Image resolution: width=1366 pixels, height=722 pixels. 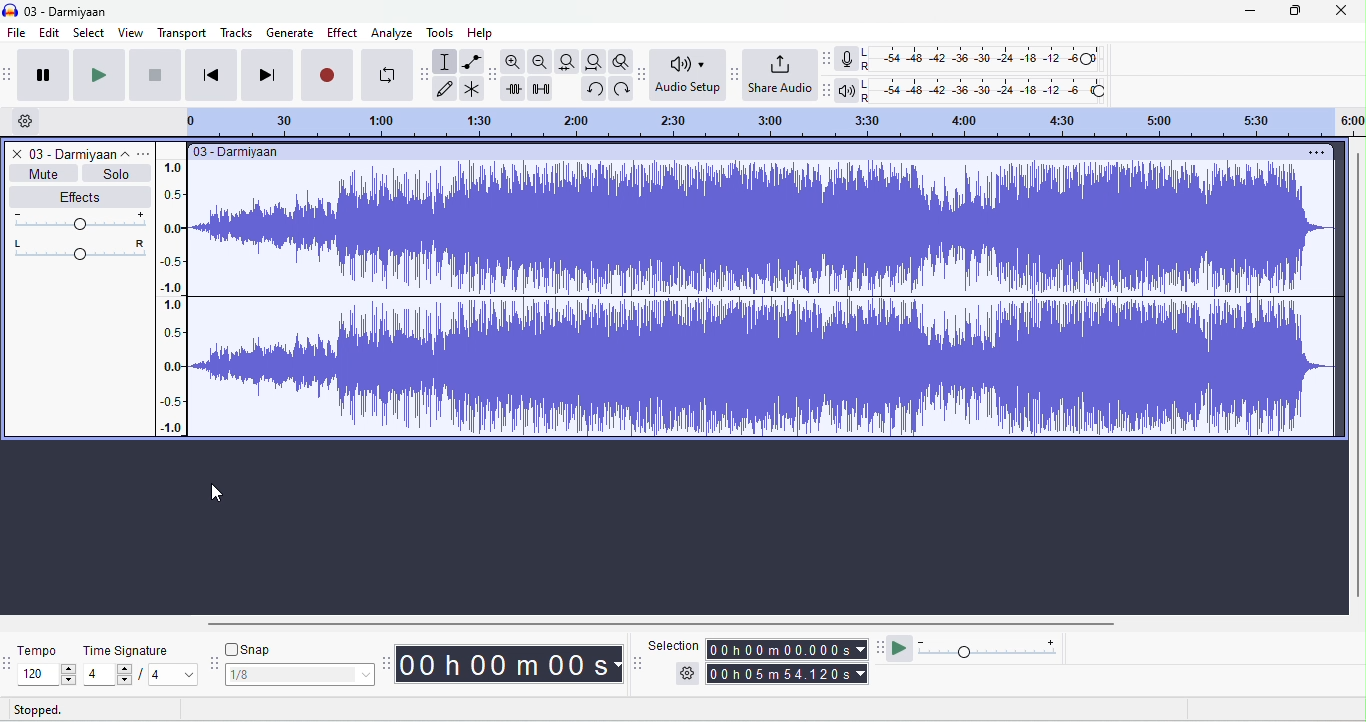 What do you see at coordinates (1292, 11) in the screenshot?
I see `maximize` at bounding box center [1292, 11].